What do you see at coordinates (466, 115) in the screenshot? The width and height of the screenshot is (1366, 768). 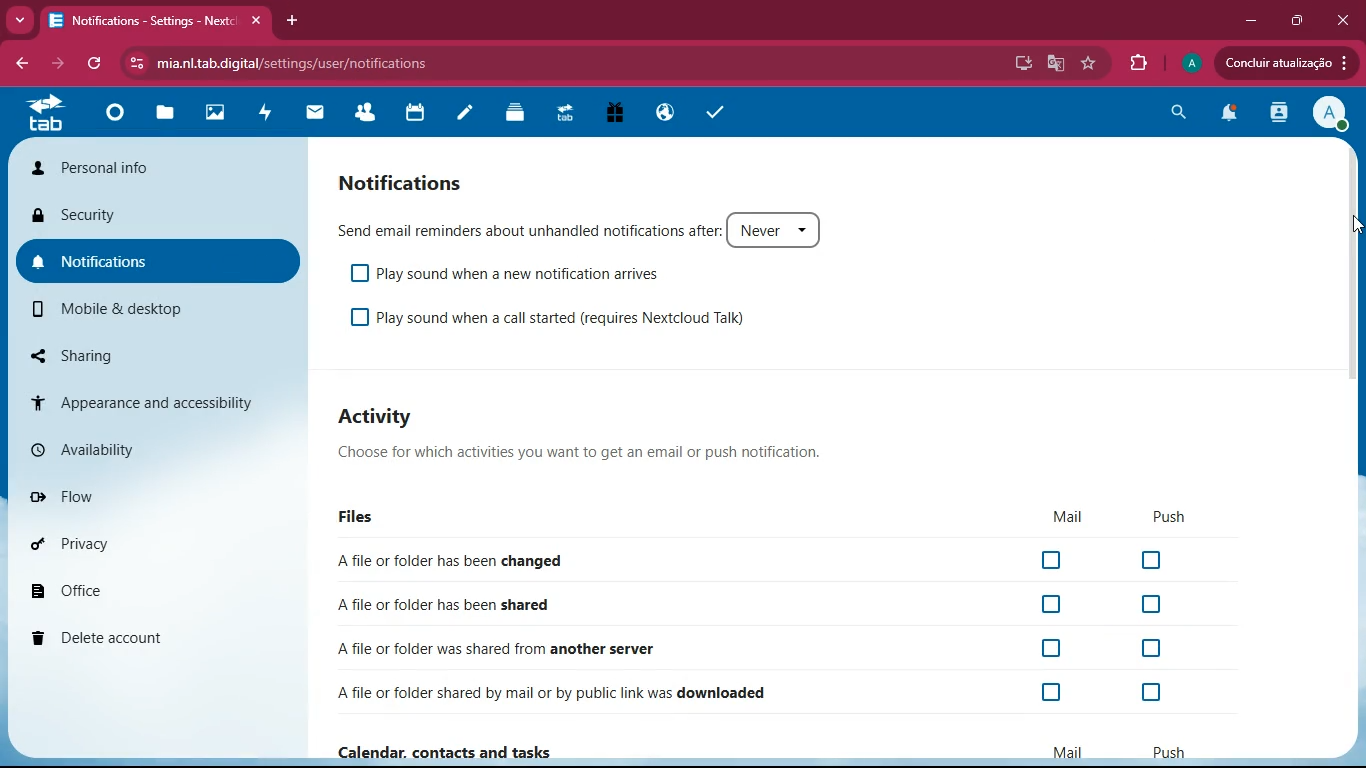 I see `notes` at bounding box center [466, 115].